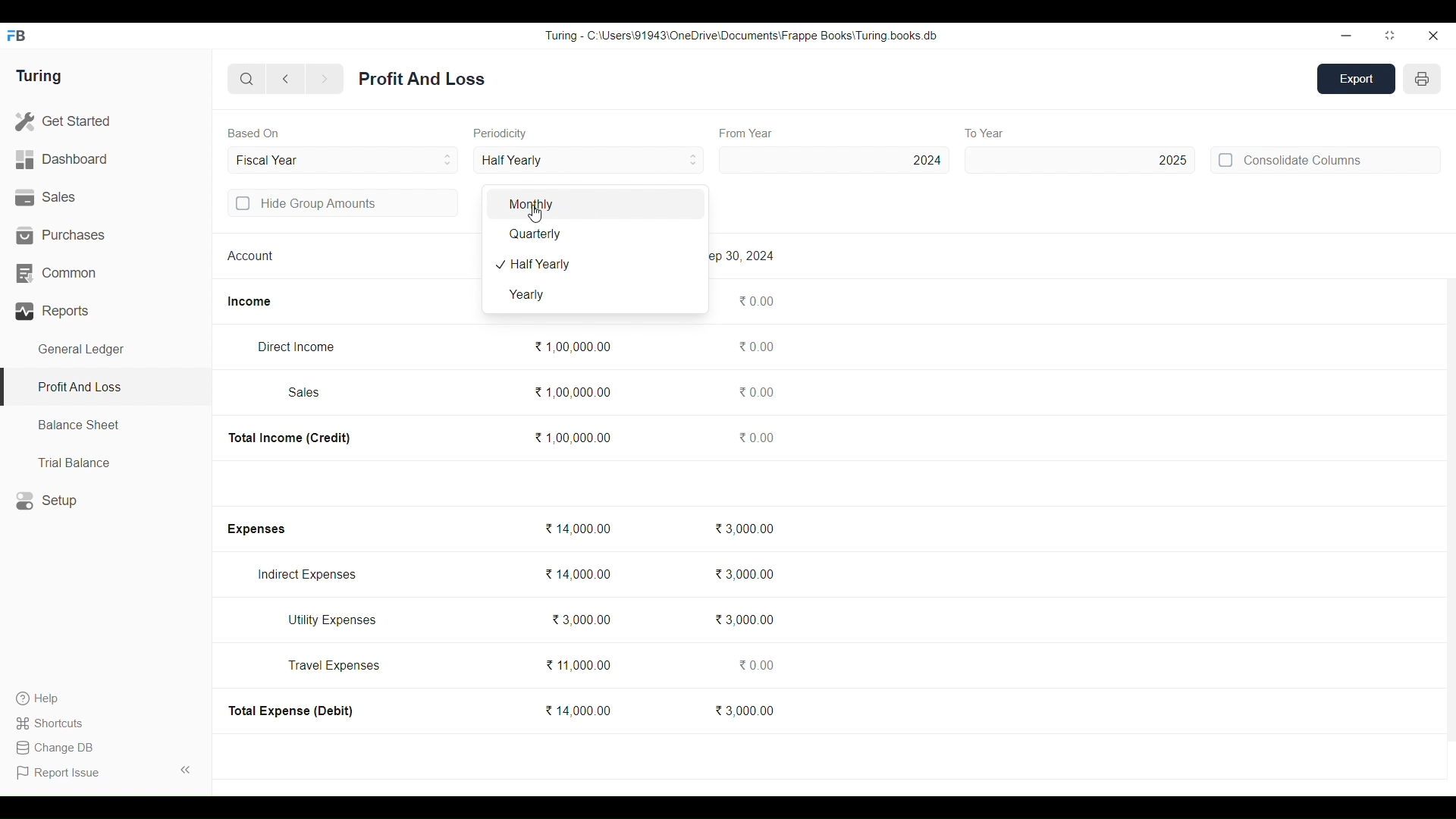  I want to click on Based On, so click(253, 133).